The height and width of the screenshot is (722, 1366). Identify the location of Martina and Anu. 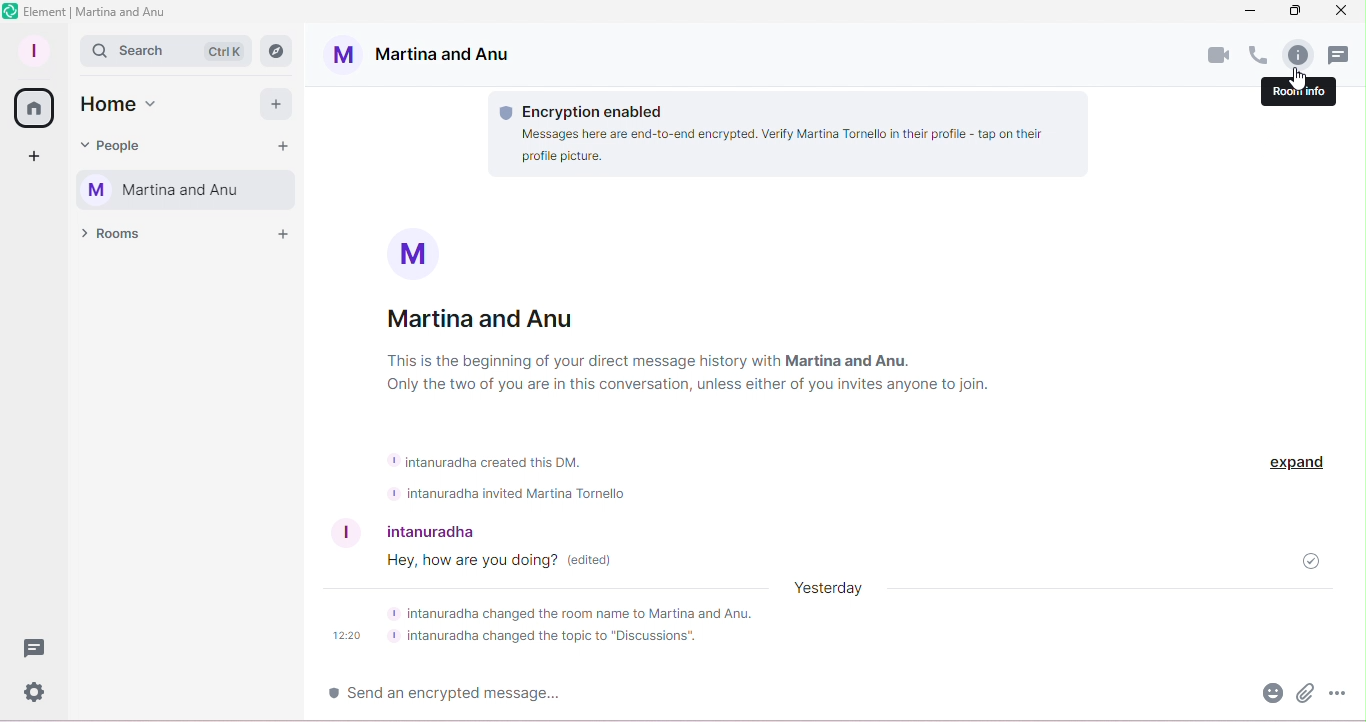
(485, 317).